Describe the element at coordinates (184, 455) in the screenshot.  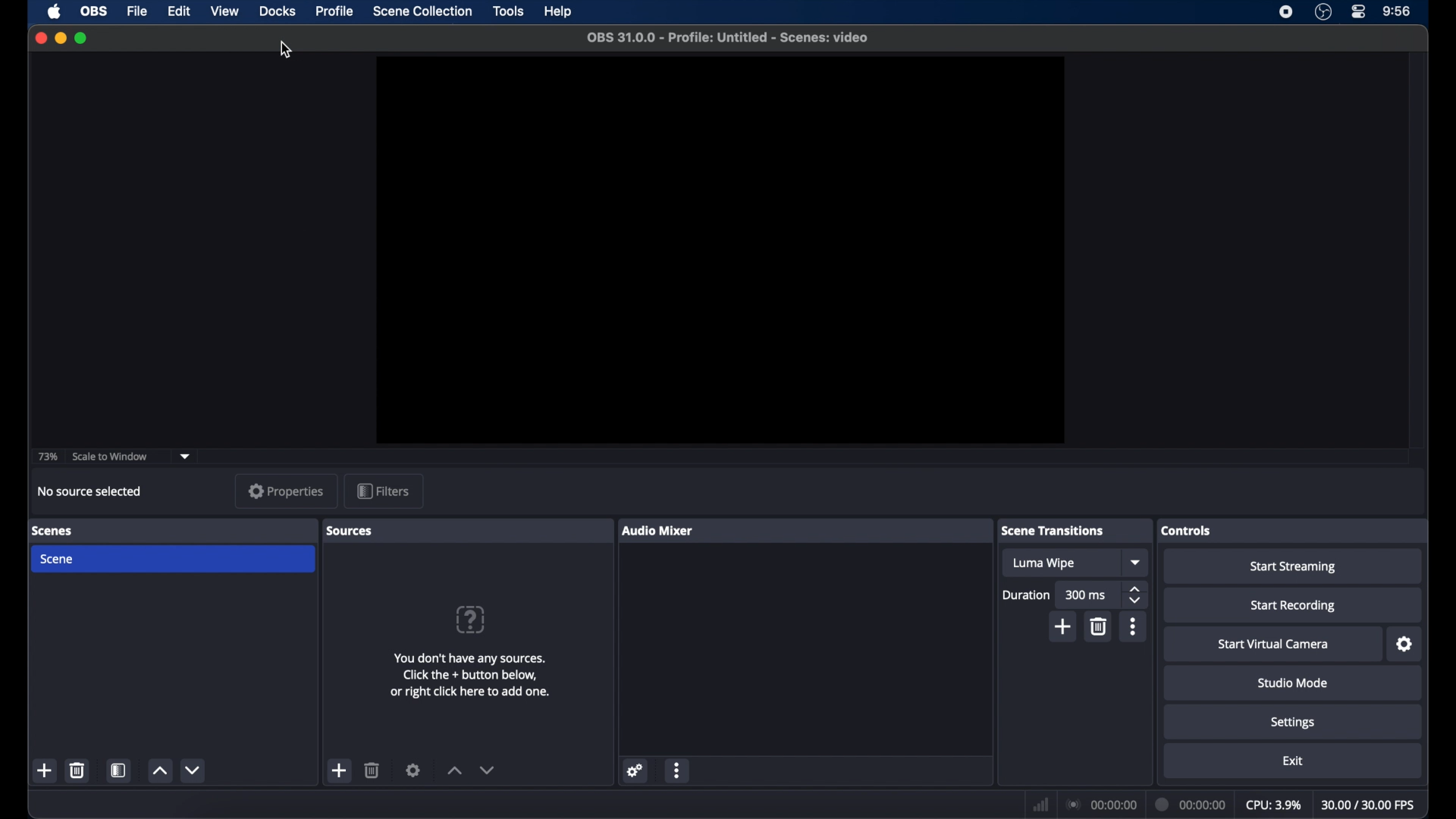
I see `dropdown ` at that location.